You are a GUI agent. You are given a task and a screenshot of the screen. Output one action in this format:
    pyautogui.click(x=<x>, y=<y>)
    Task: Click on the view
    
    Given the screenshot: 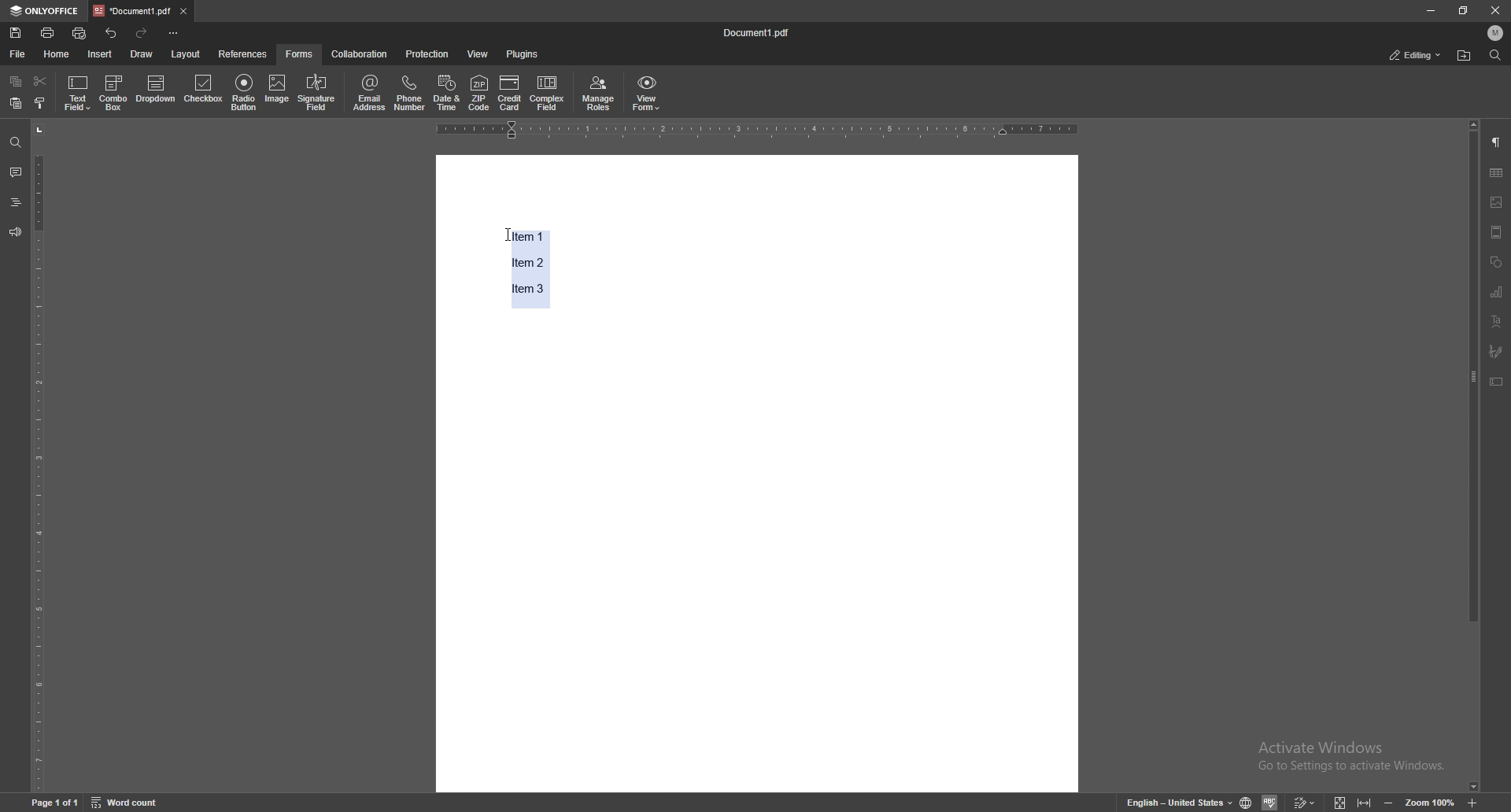 What is the action you would take?
    pyautogui.click(x=478, y=54)
    